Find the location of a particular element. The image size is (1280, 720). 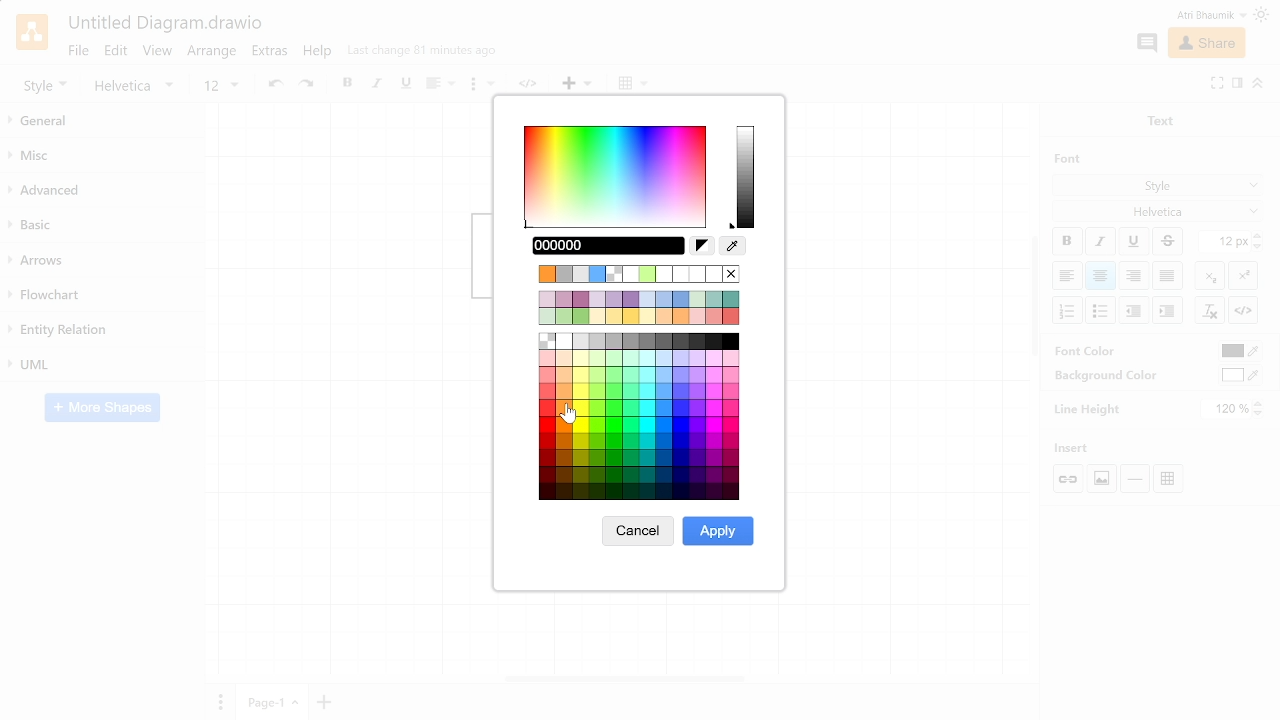

Superscript is located at coordinates (1243, 274).